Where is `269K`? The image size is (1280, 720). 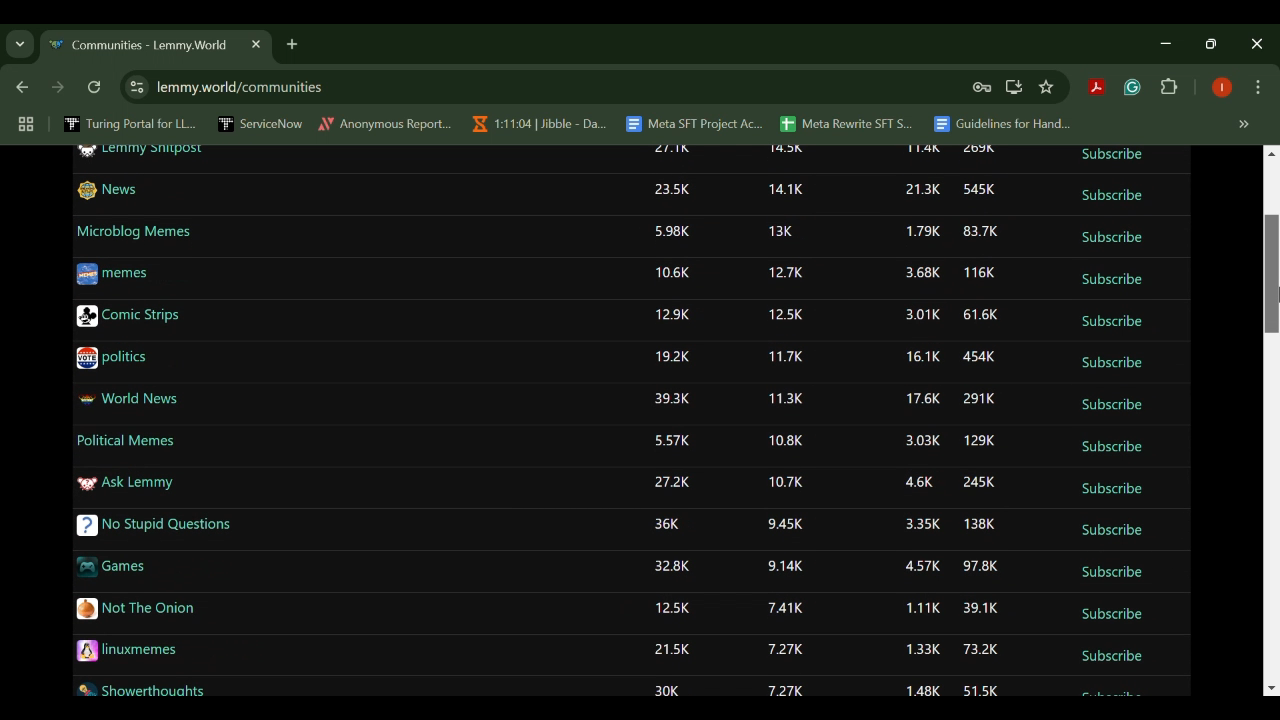
269K is located at coordinates (980, 149).